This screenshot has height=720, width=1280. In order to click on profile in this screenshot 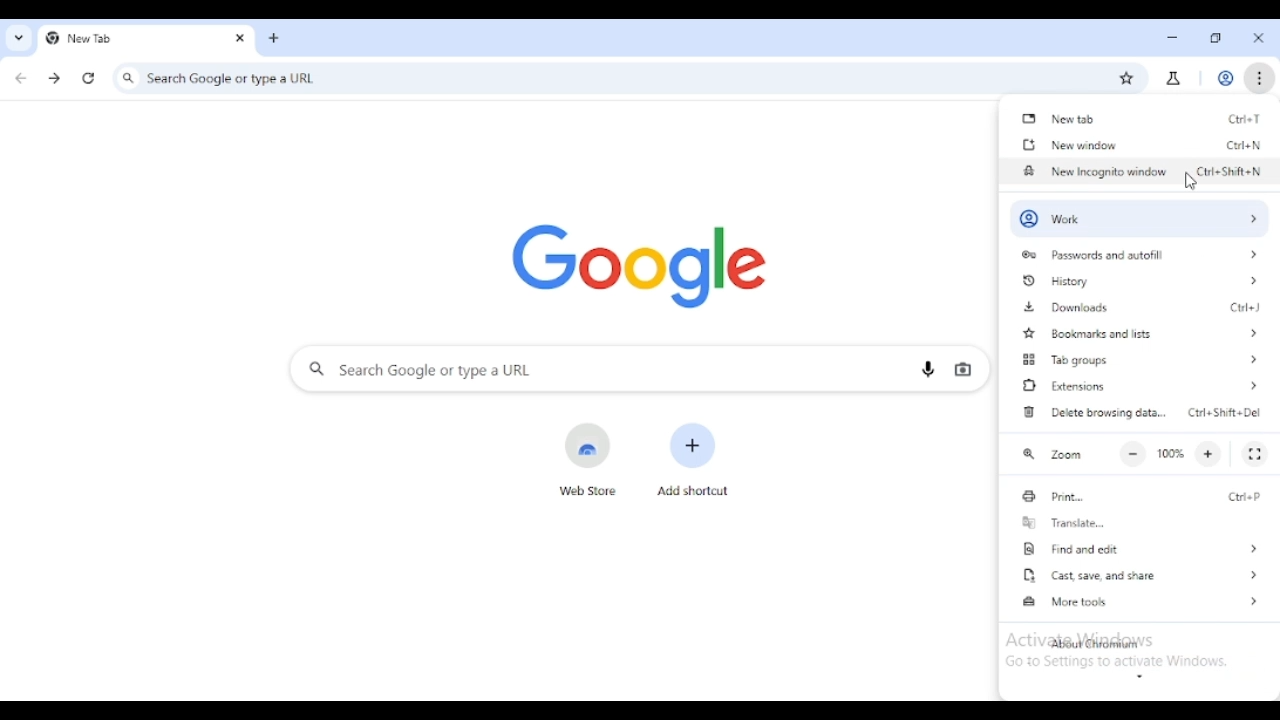, I will do `click(1138, 217)`.